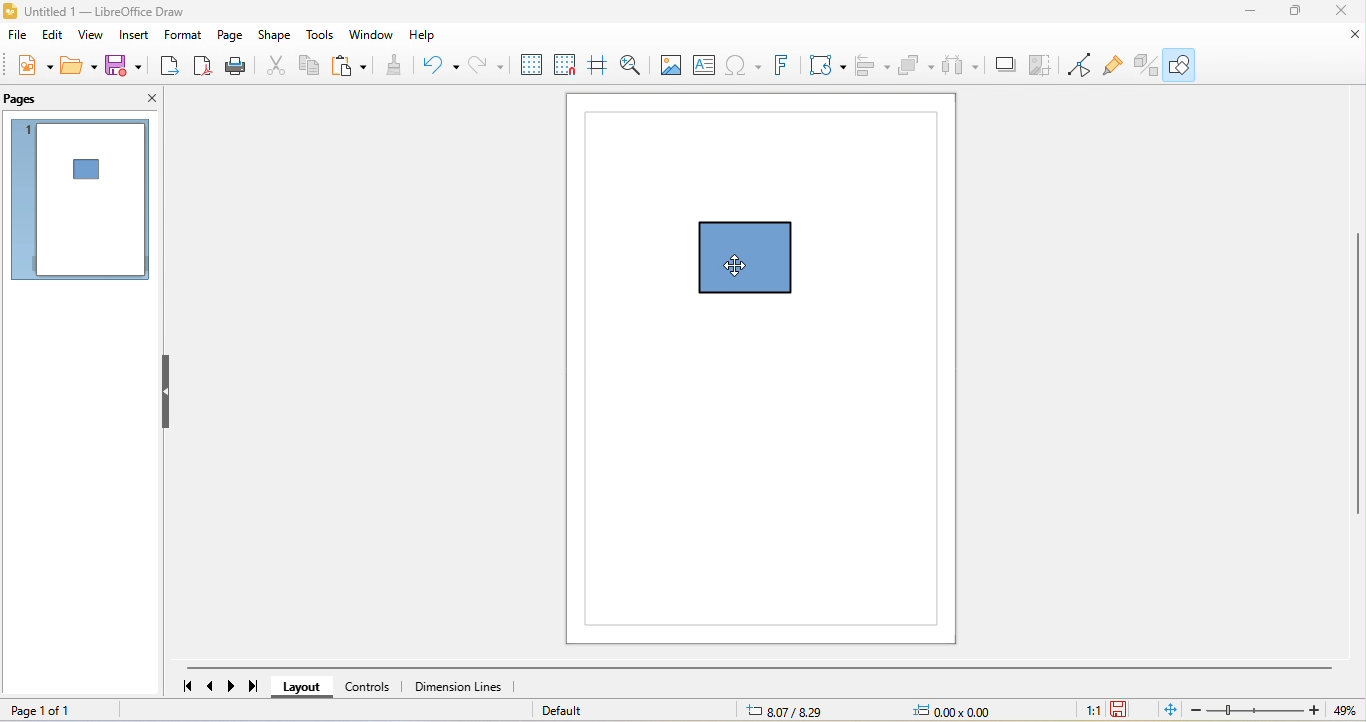  Describe the element at coordinates (278, 37) in the screenshot. I see `shape` at that location.